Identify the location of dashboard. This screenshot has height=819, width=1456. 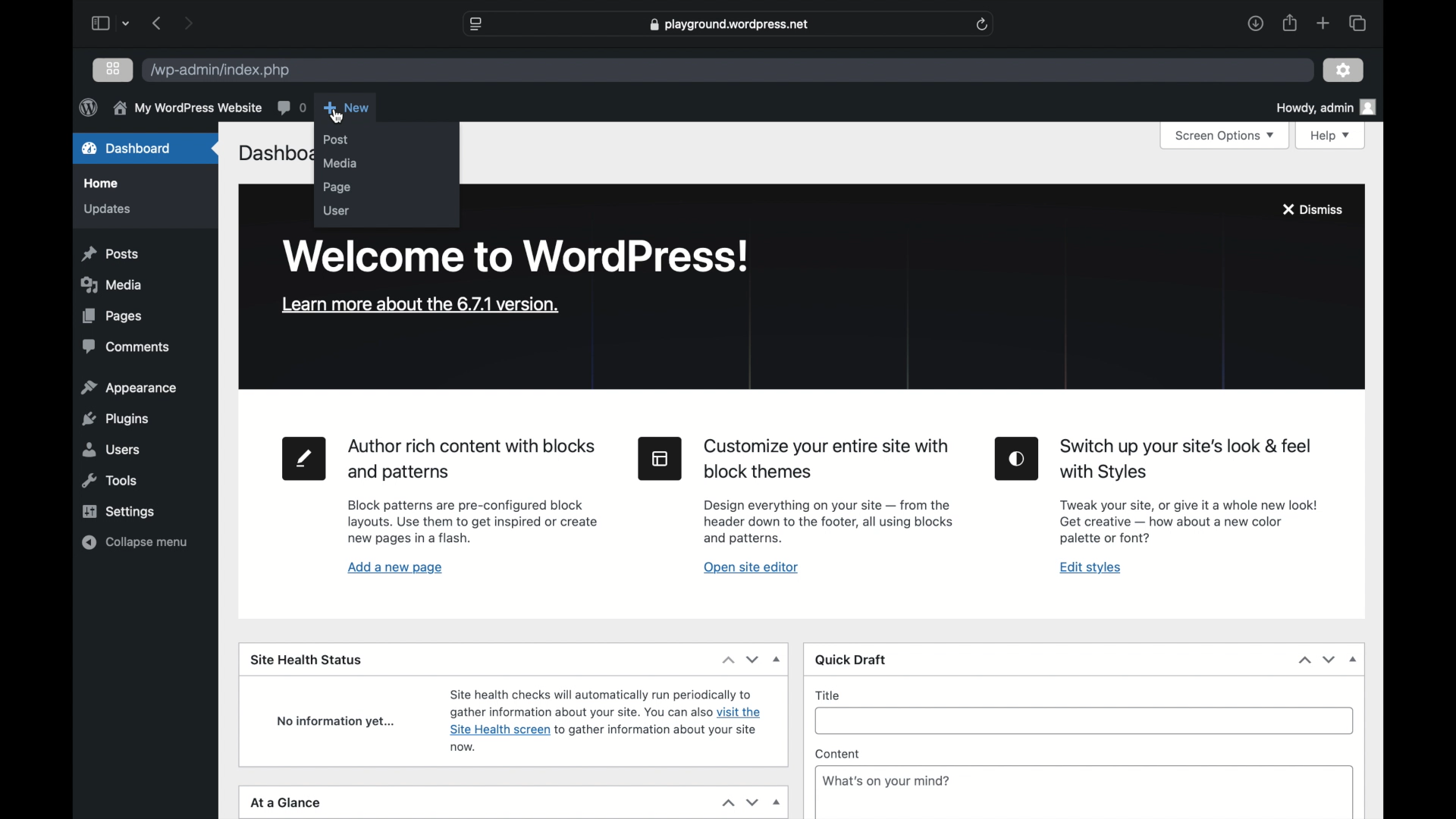
(127, 148).